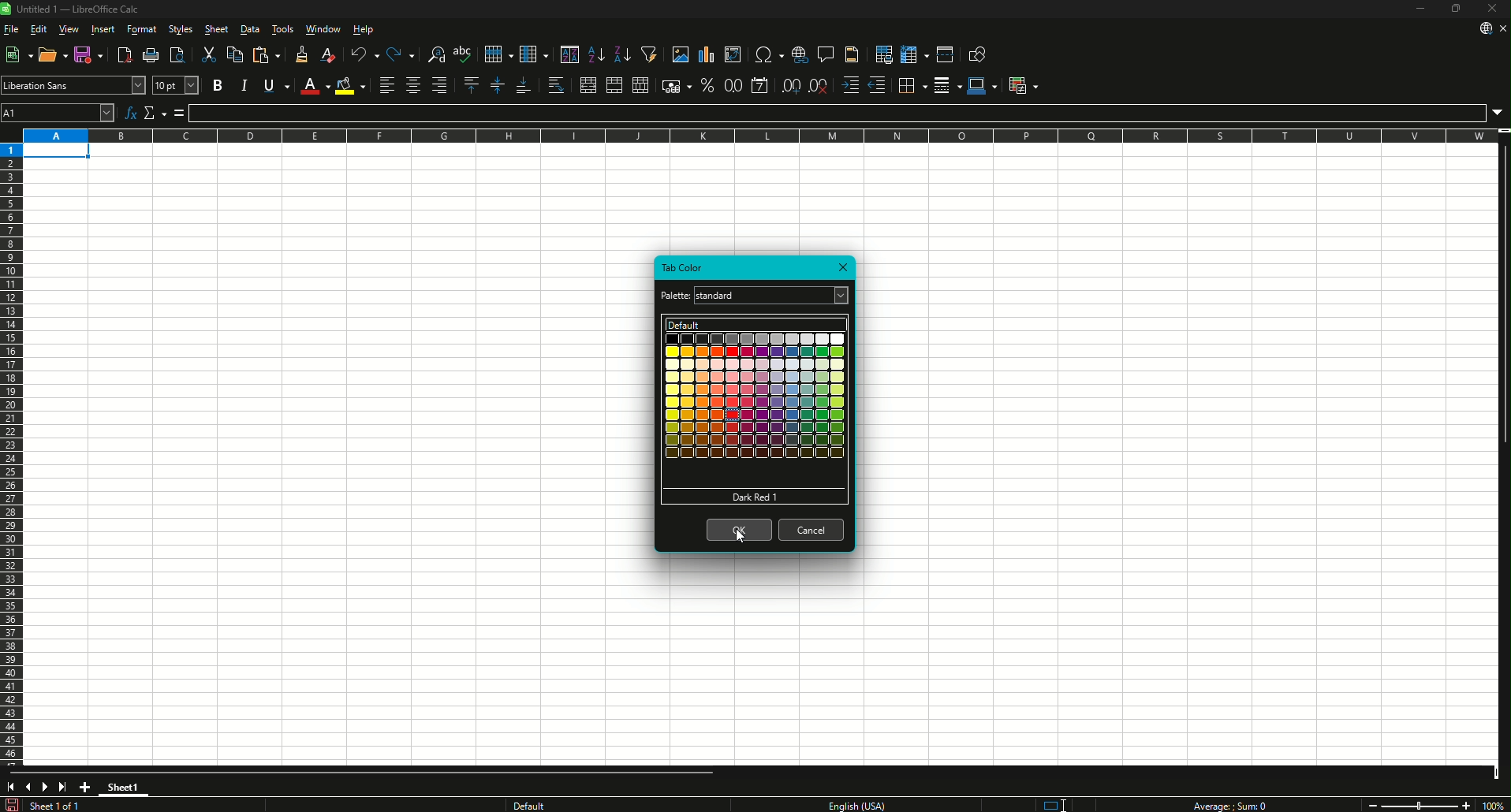 The image size is (1511, 812). Describe the element at coordinates (853, 54) in the screenshot. I see `Headers and Footers` at that location.